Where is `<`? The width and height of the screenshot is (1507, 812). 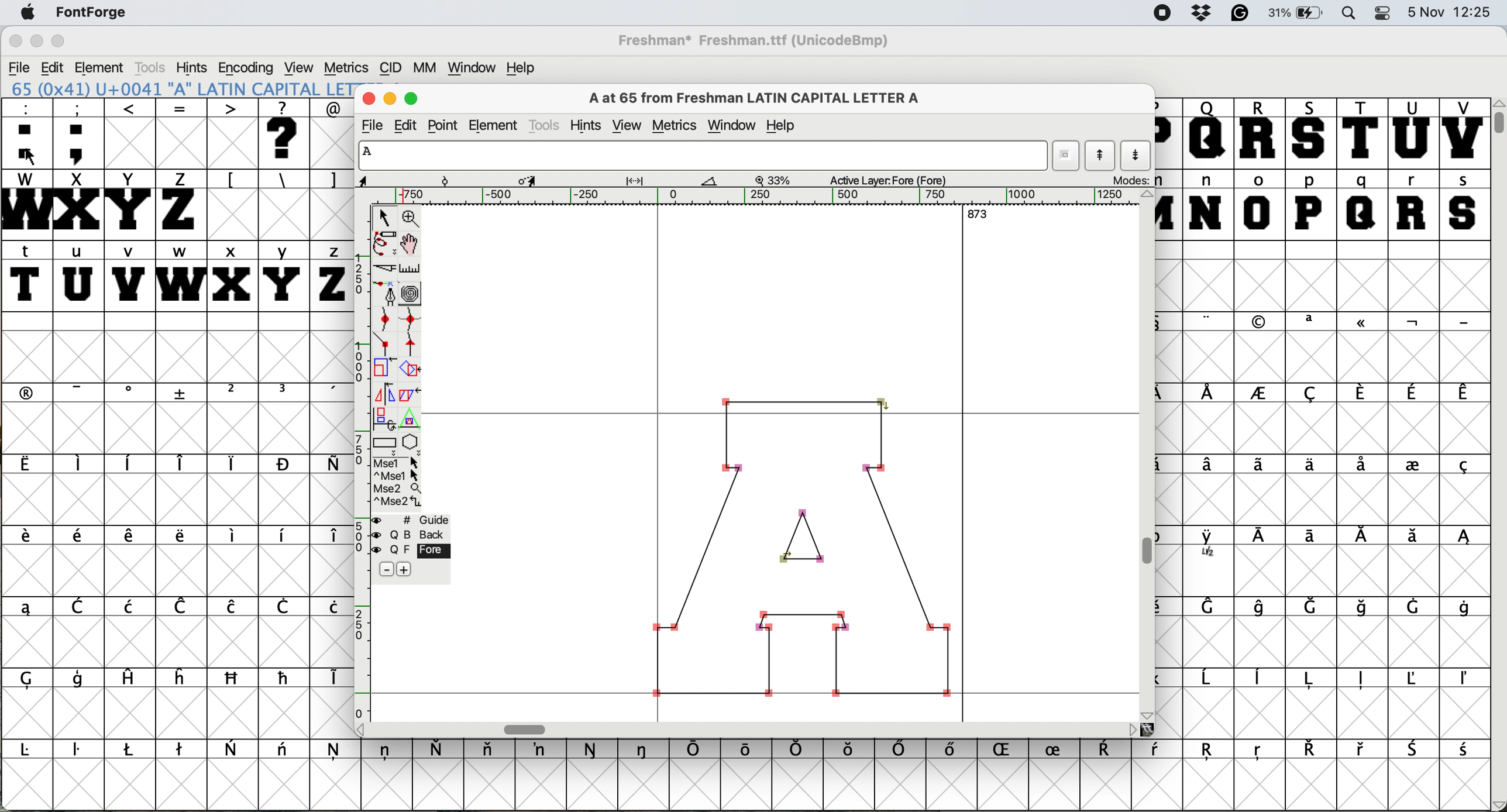
< is located at coordinates (130, 133).